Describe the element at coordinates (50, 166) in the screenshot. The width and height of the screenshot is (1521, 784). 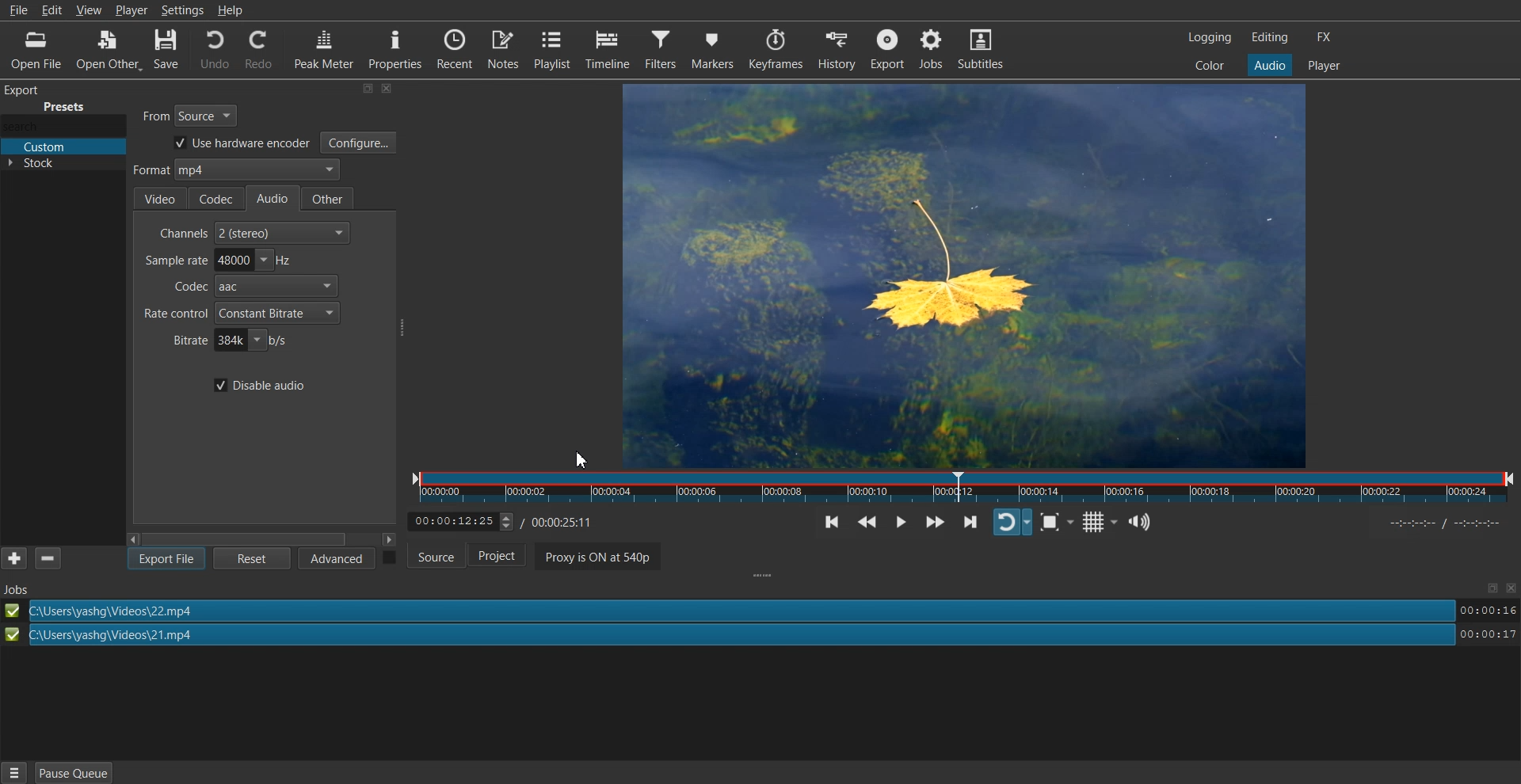
I see `Stock` at that location.